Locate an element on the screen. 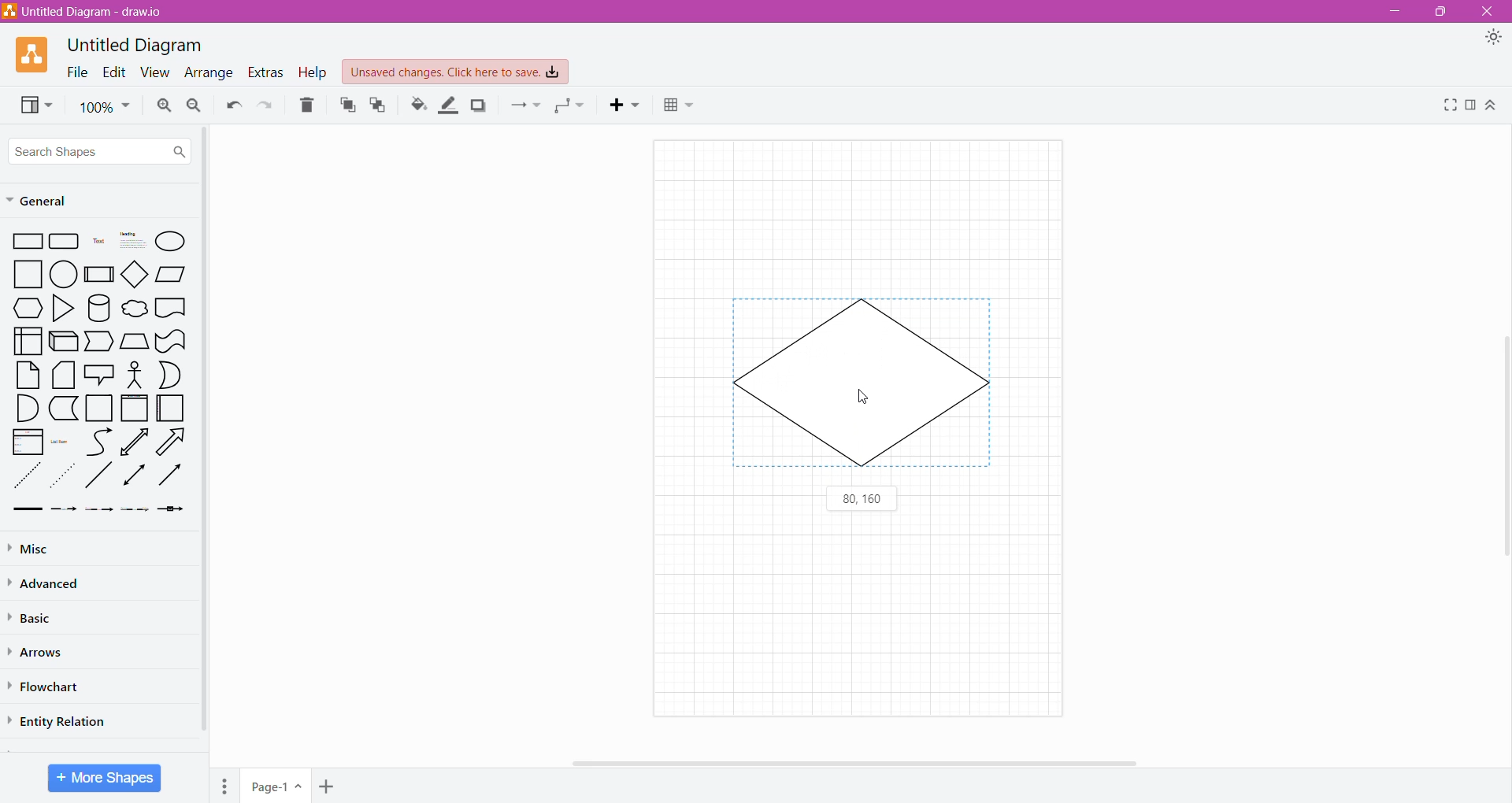 The width and height of the screenshot is (1512, 803). And is located at coordinates (27, 409).